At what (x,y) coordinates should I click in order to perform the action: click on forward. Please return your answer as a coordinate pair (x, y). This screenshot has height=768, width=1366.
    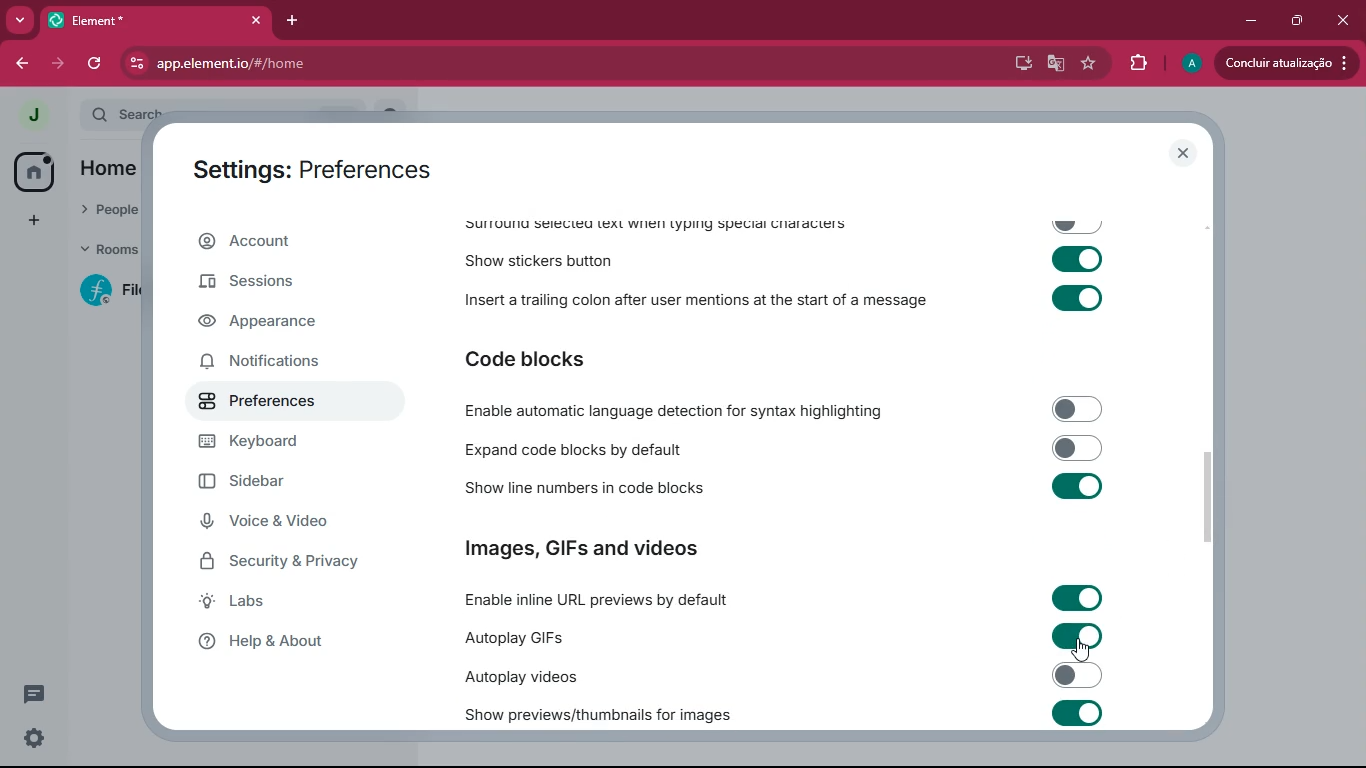
    Looking at the image, I should click on (58, 62).